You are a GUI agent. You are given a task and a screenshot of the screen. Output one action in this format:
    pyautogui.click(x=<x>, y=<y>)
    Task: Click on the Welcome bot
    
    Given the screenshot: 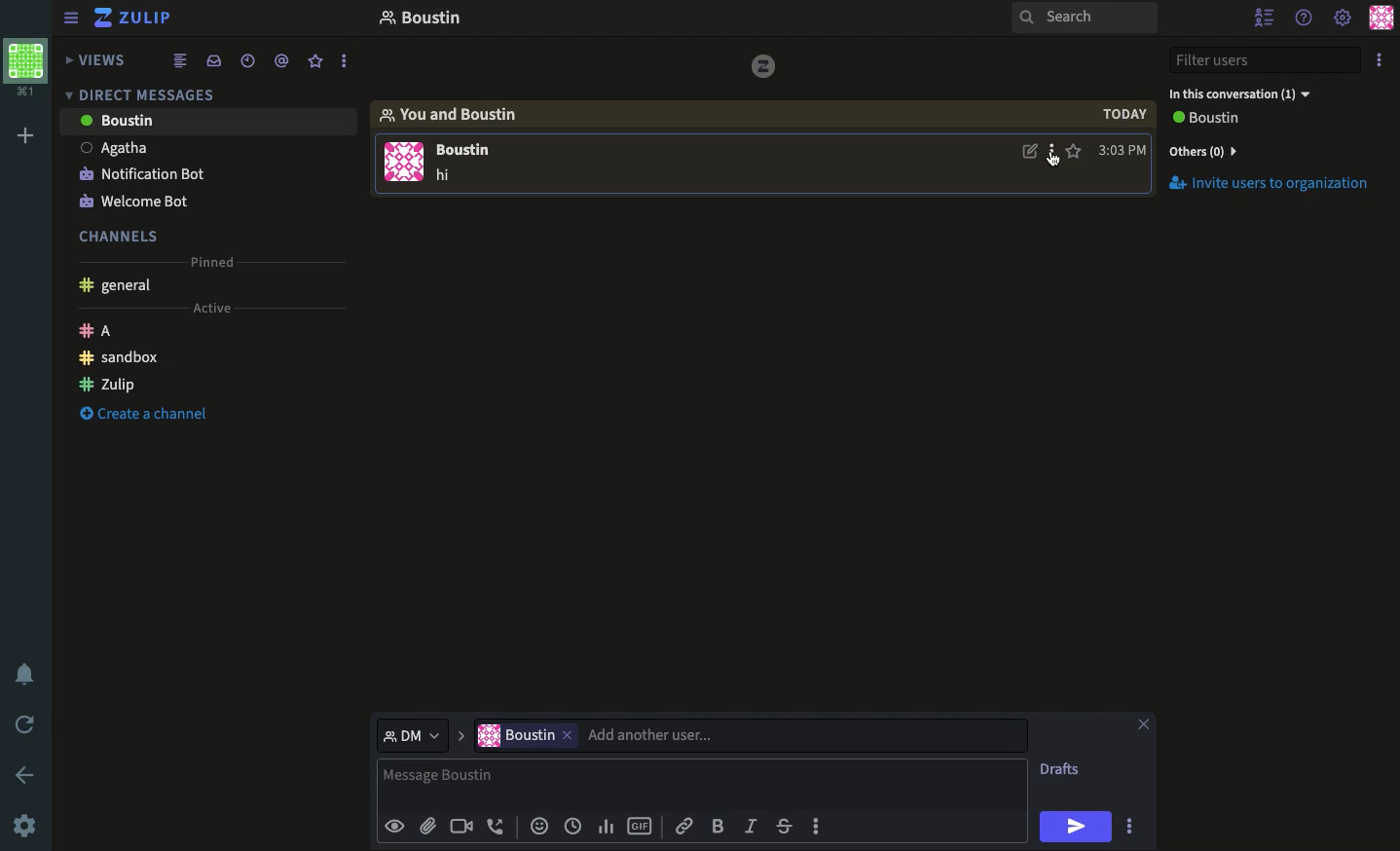 What is the action you would take?
    pyautogui.click(x=139, y=197)
    